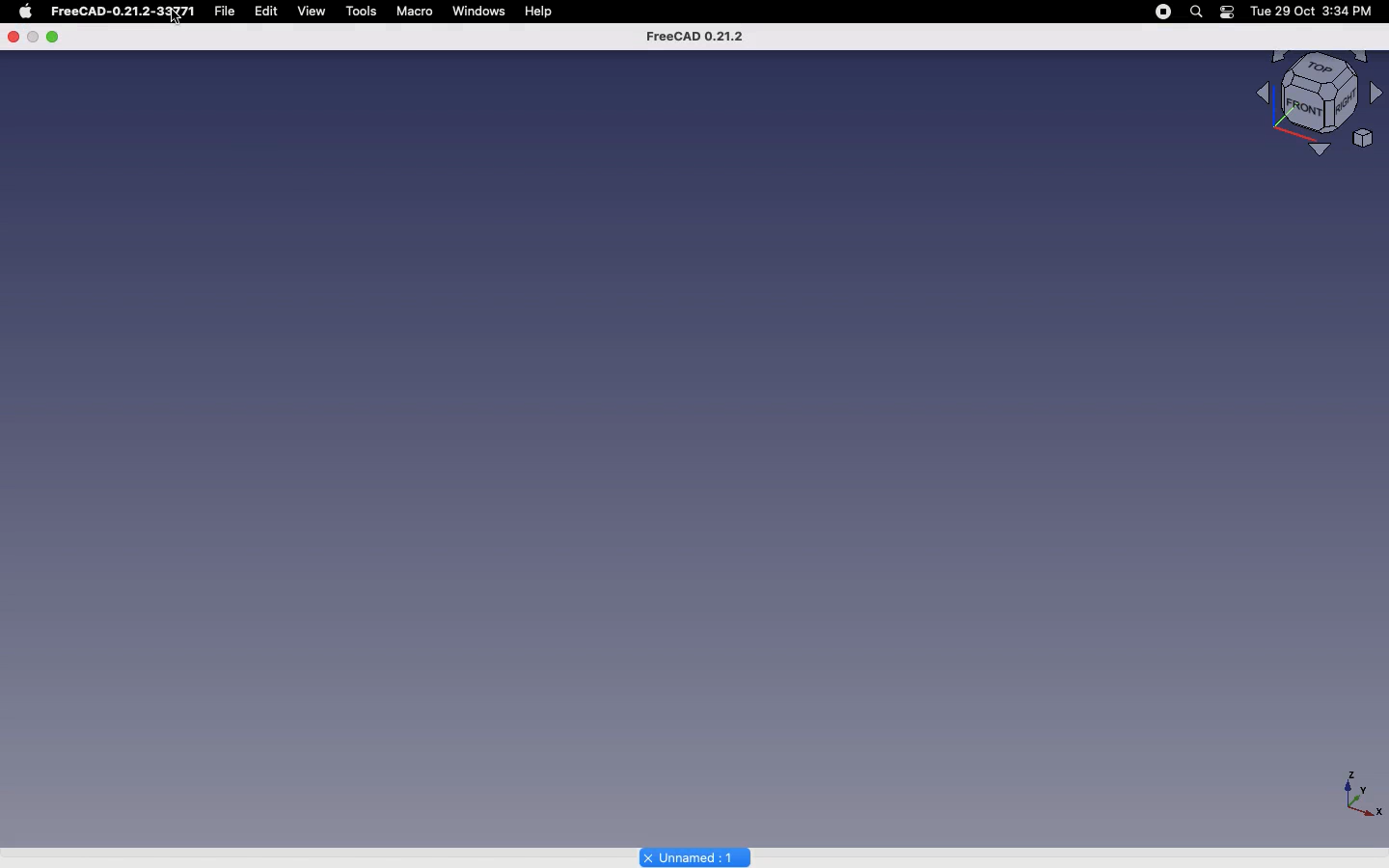  I want to click on FreeCAD-0.21.2-33Y71, so click(126, 14).